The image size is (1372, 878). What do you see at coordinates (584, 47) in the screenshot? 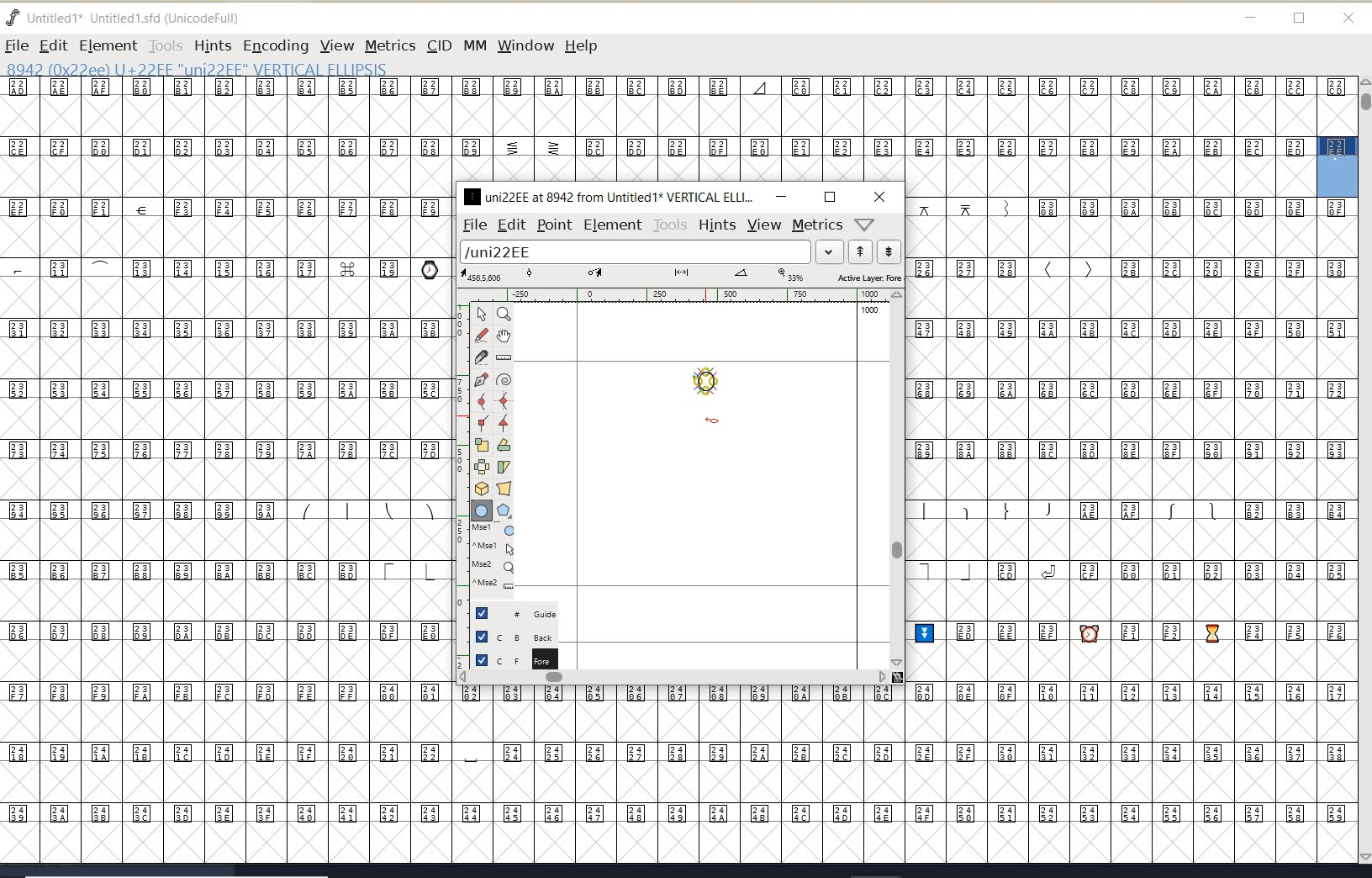
I see `help` at bounding box center [584, 47].